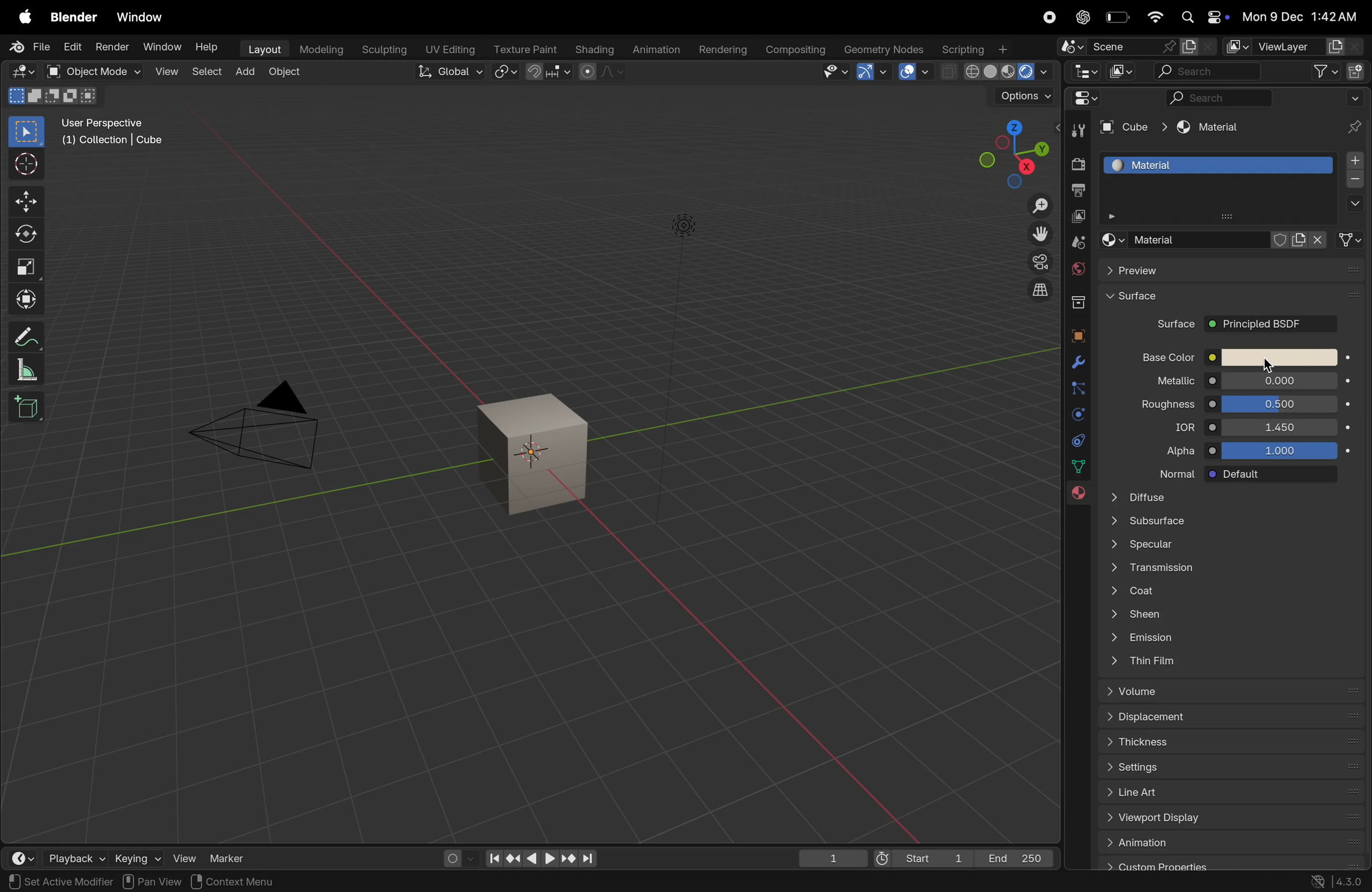 The image size is (1372, 892). What do you see at coordinates (1355, 161) in the screenshot?
I see `add materail slor` at bounding box center [1355, 161].